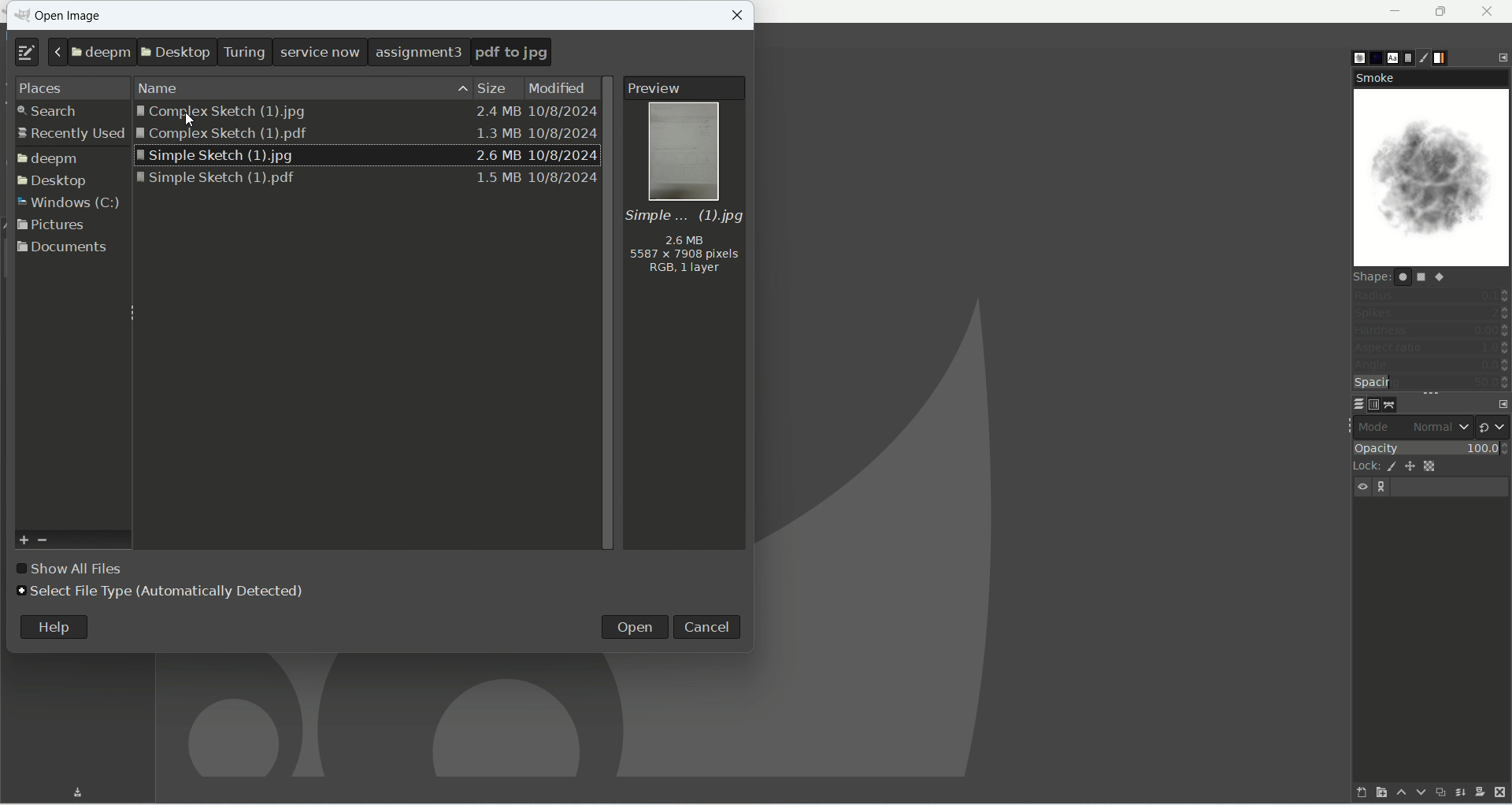  Describe the element at coordinates (1429, 467) in the screenshot. I see `lock alpha channel` at that location.